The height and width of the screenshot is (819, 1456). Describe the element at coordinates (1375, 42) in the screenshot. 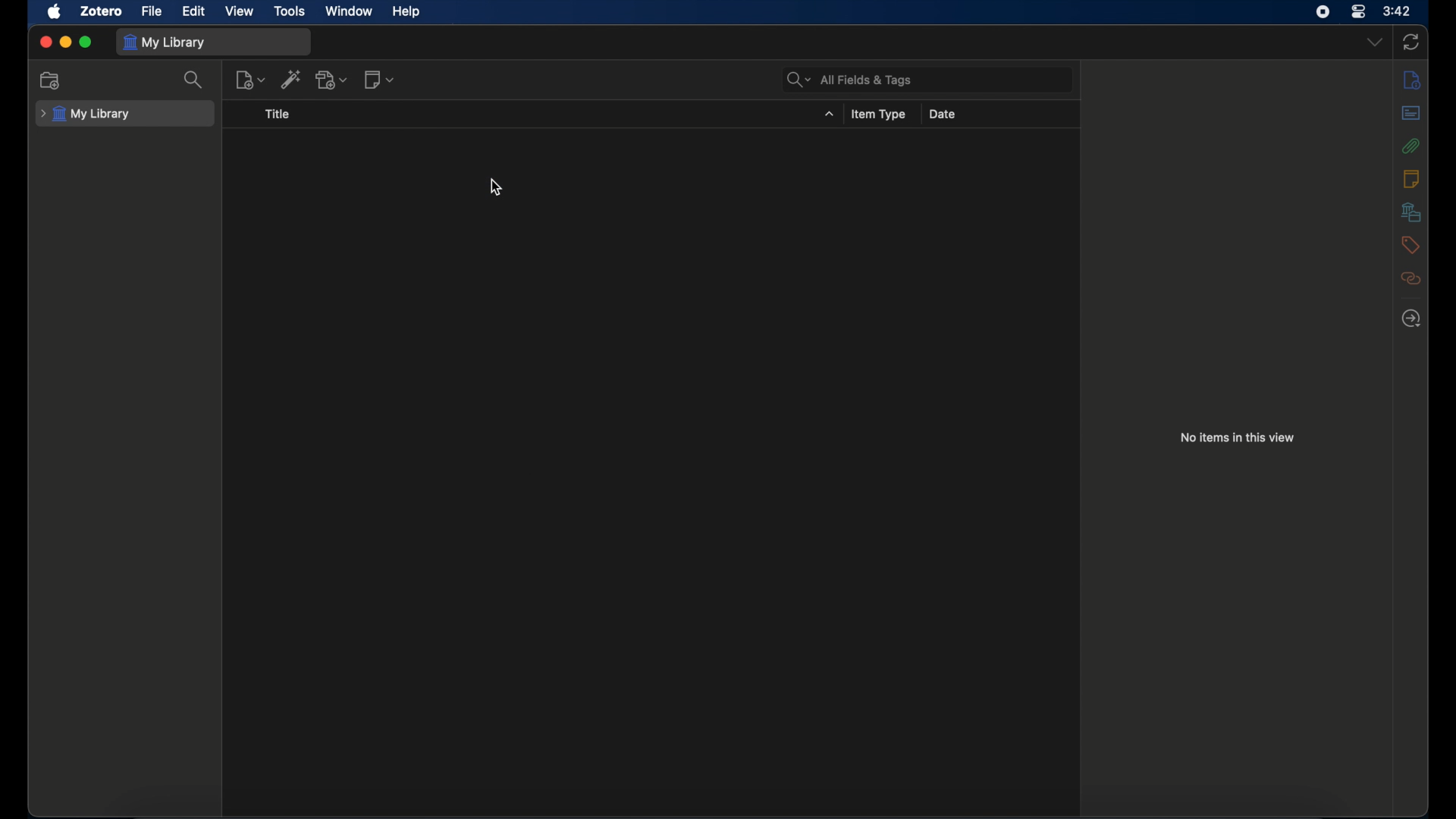

I see `dropdown` at that location.